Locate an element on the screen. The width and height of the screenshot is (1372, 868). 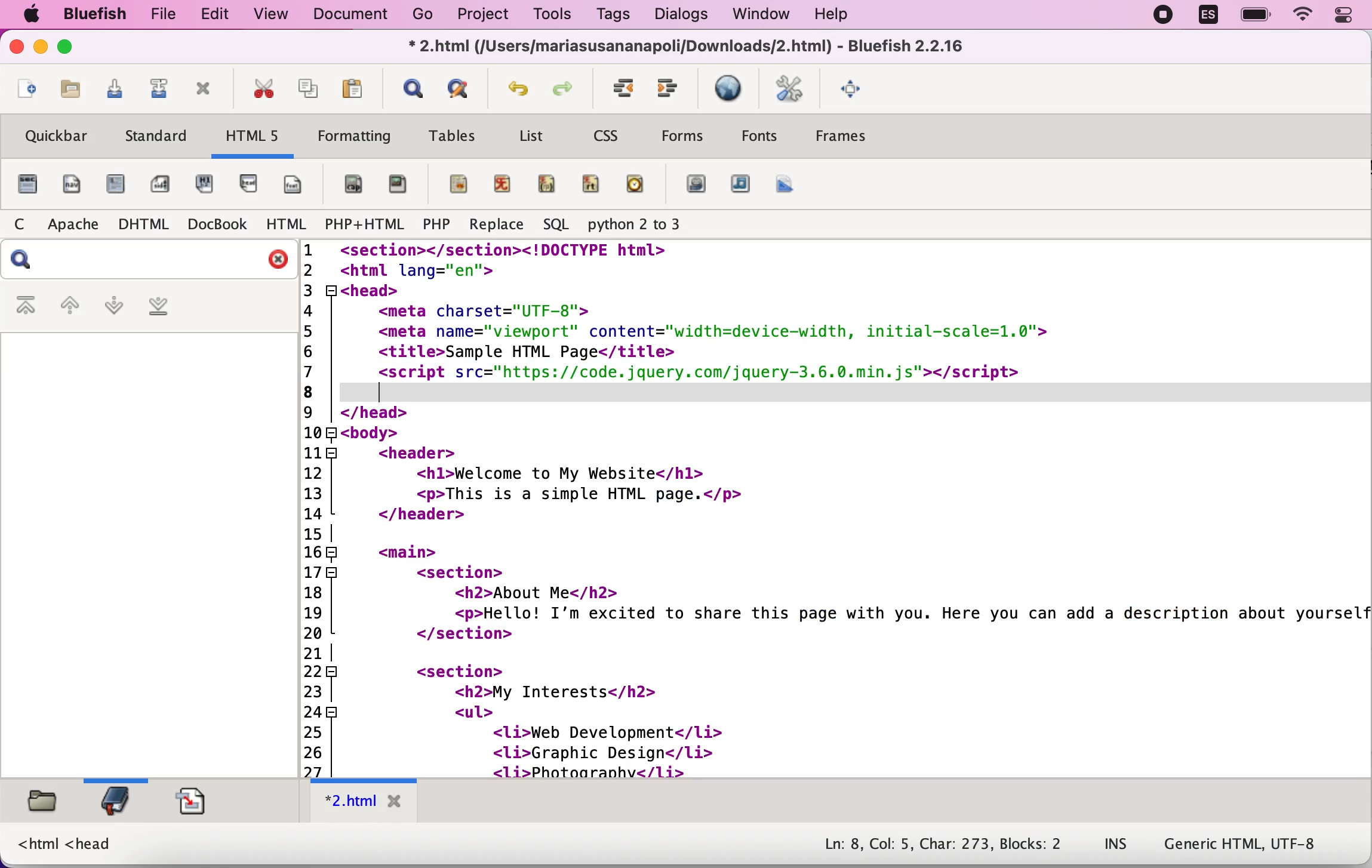
recording stopped is located at coordinates (1161, 18).